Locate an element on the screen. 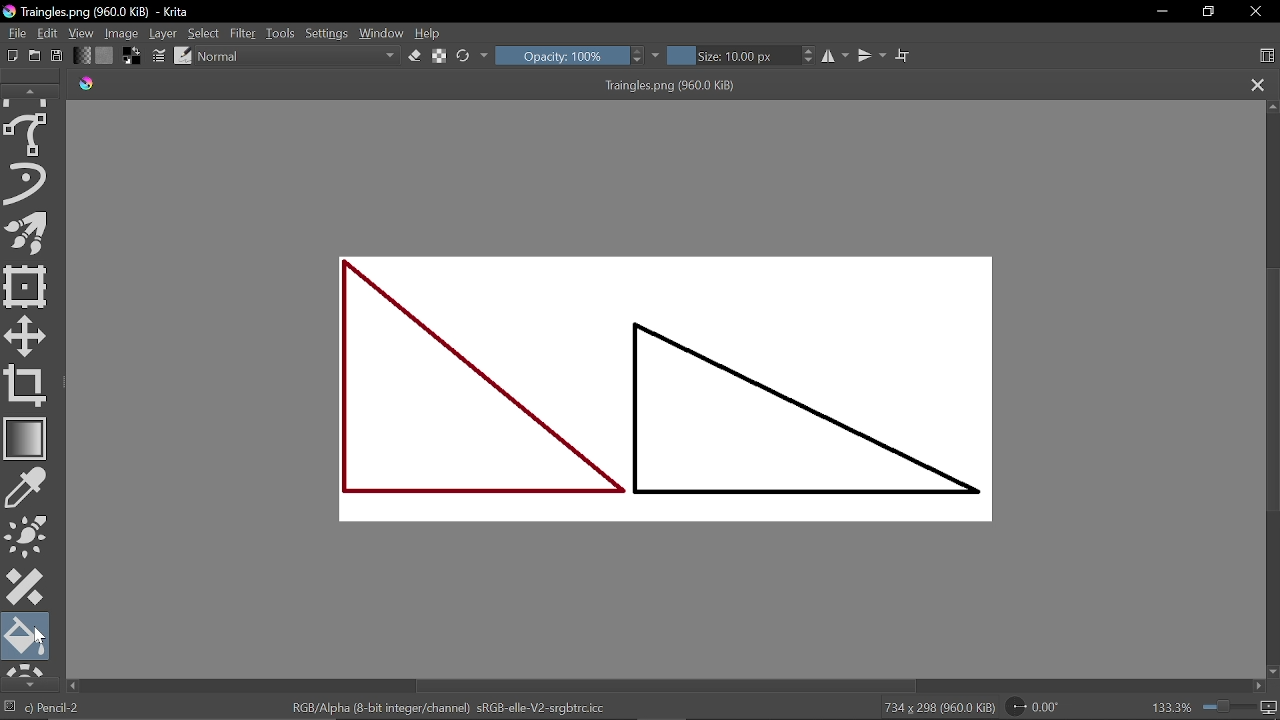 This screenshot has width=1280, height=720. Save is located at coordinates (57, 56).